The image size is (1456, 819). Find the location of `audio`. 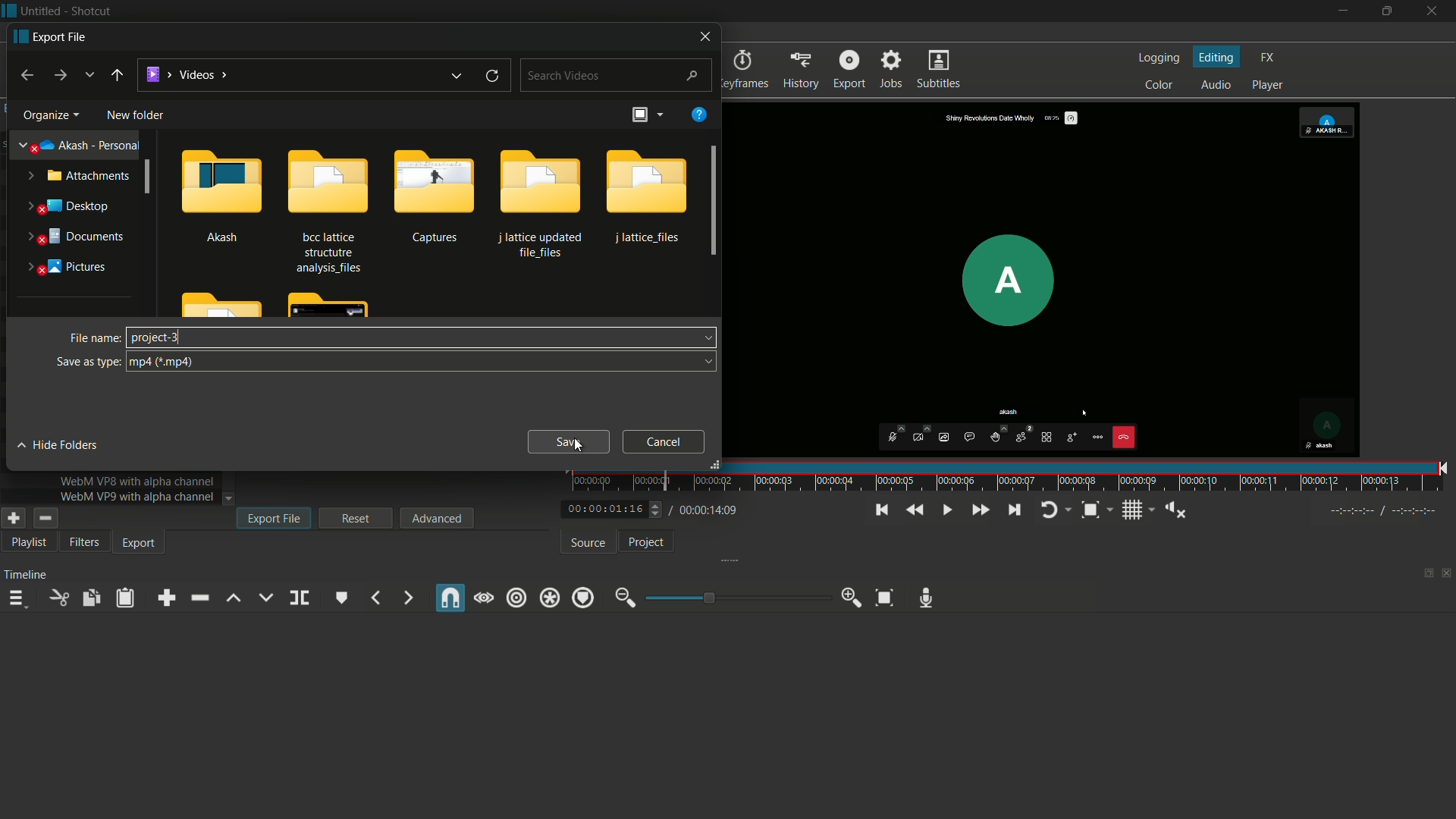

audio is located at coordinates (1216, 86).